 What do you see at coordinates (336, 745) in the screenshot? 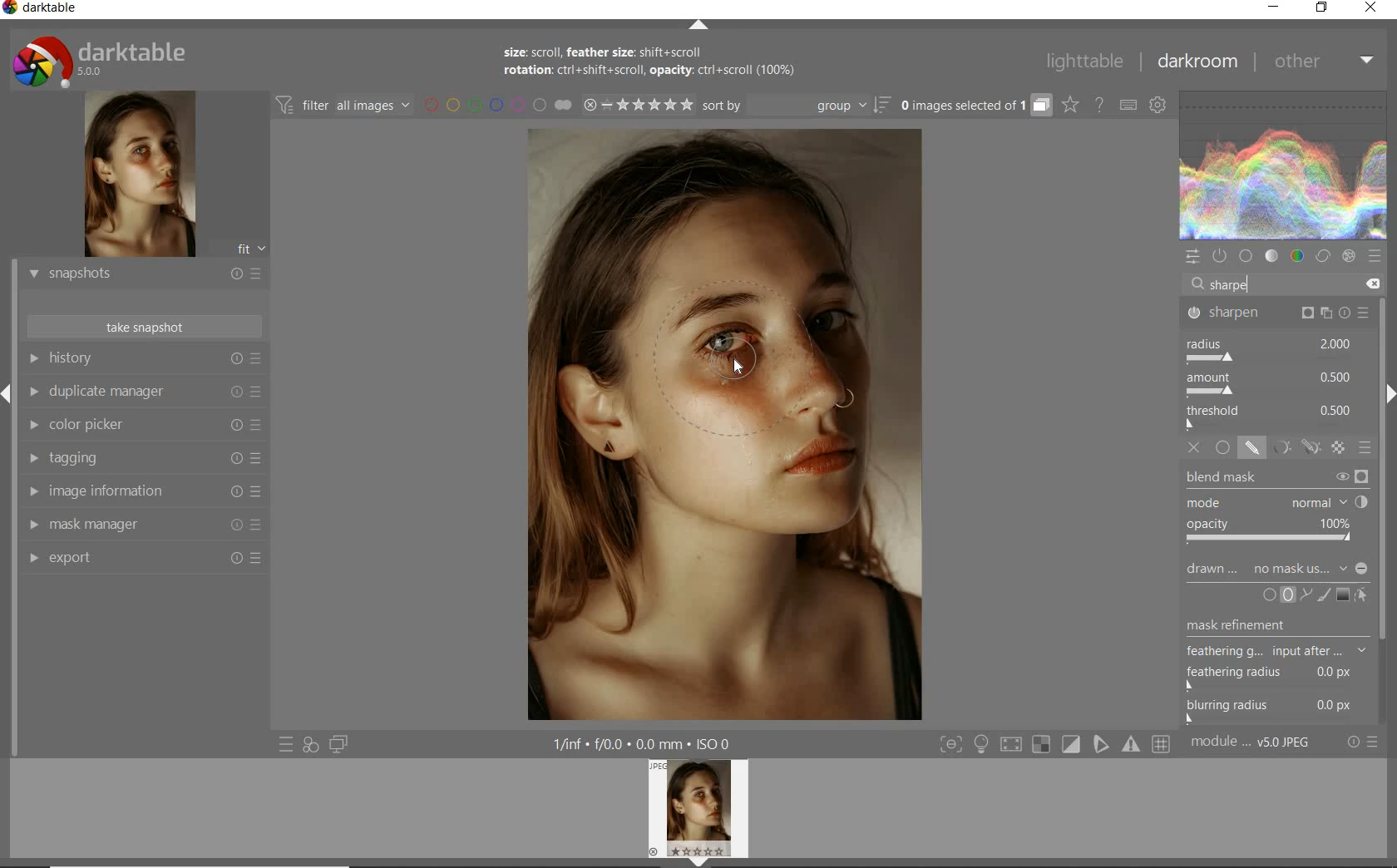
I see `display a second darkroom image below` at bounding box center [336, 745].